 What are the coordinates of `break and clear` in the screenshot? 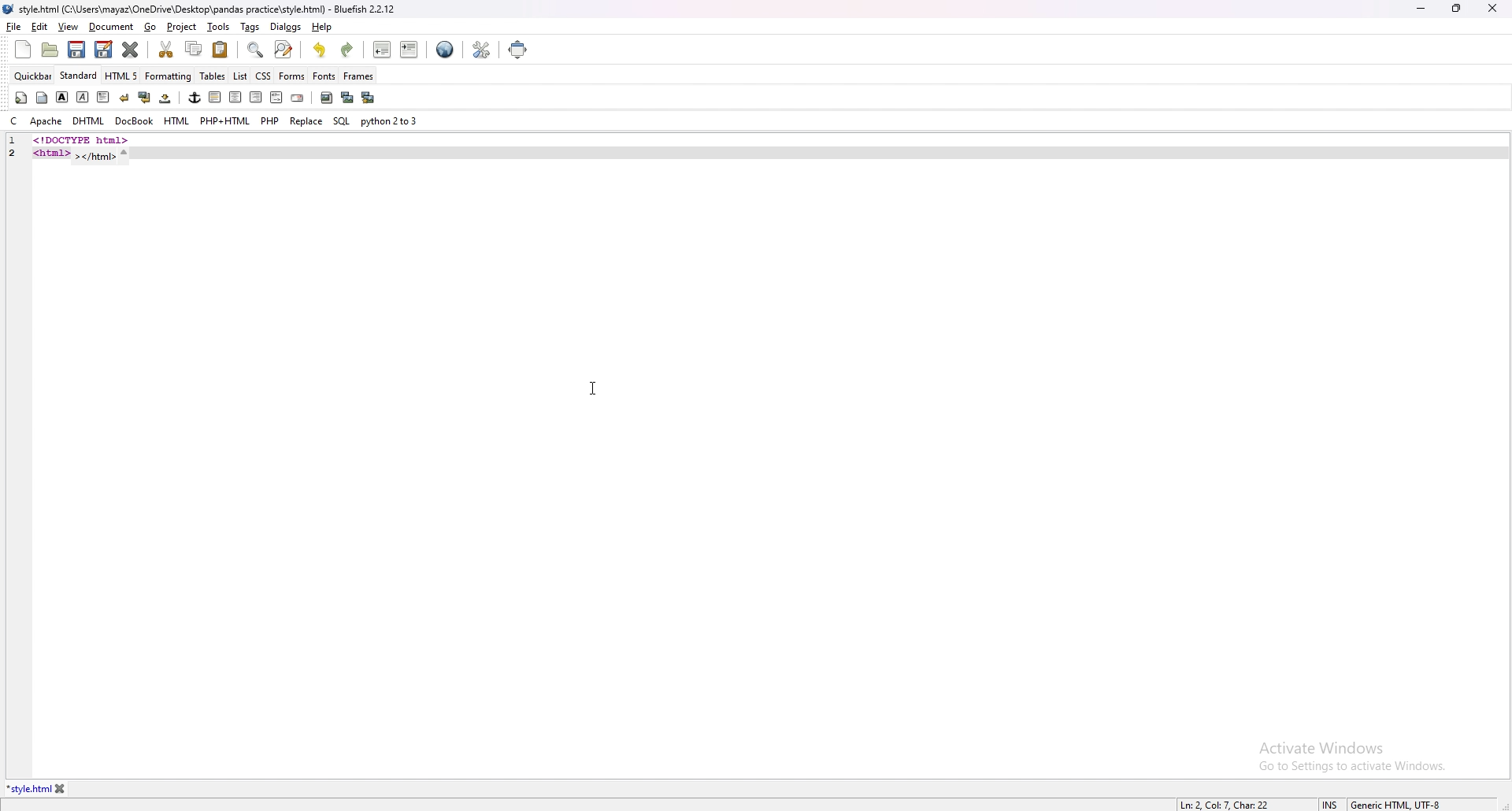 It's located at (143, 98).